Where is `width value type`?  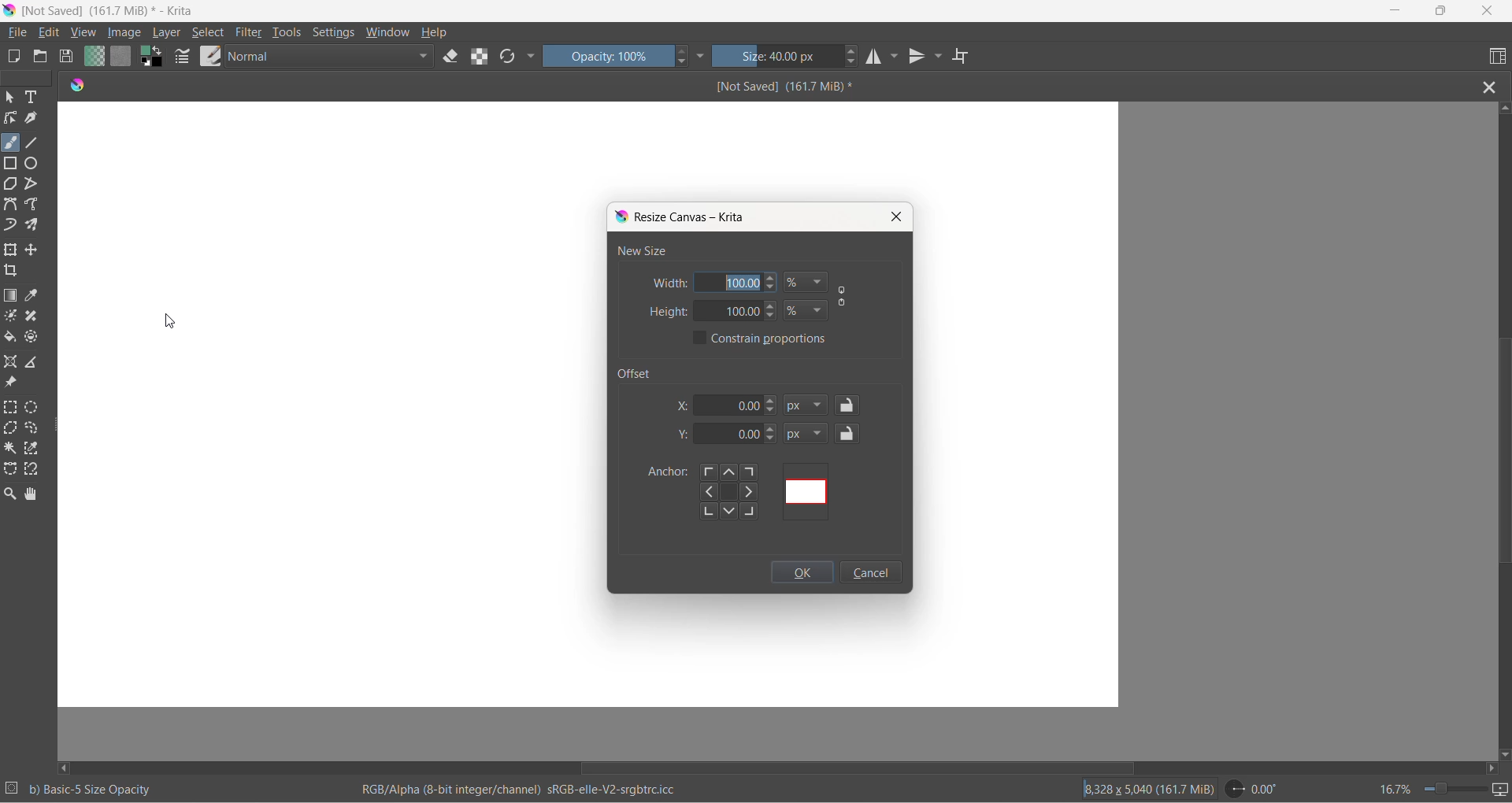 width value type is located at coordinates (807, 283).